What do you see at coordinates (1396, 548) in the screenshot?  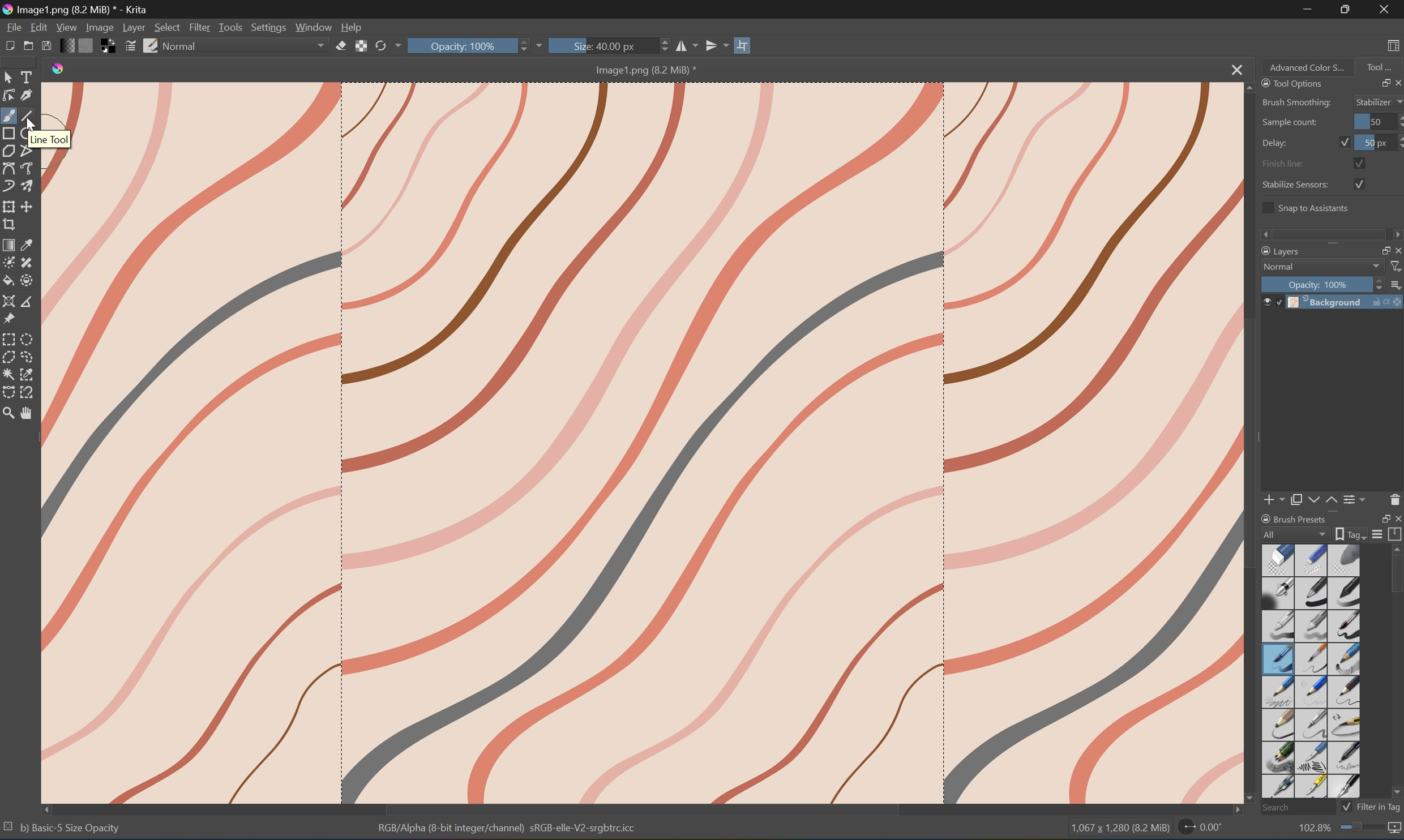 I see `Scroll Up` at bounding box center [1396, 548].